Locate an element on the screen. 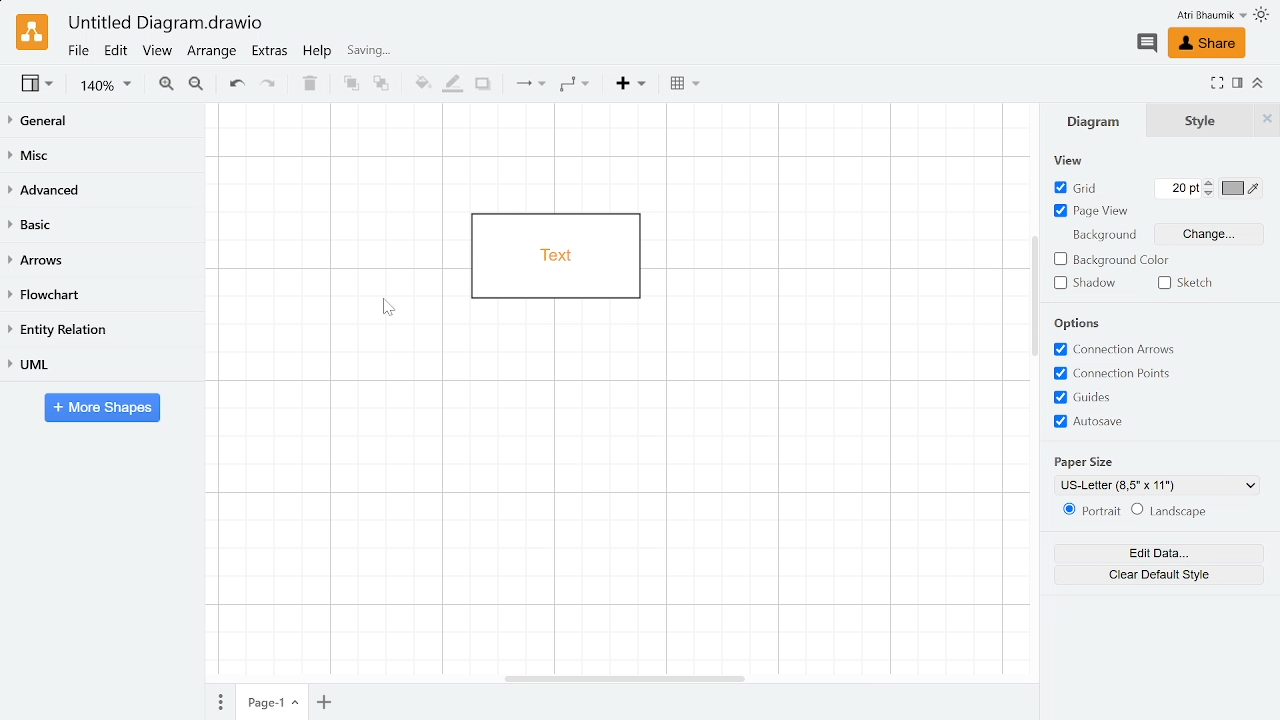 The height and width of the screenshot is (720, 1280). View is located at coordinates (158, 53).